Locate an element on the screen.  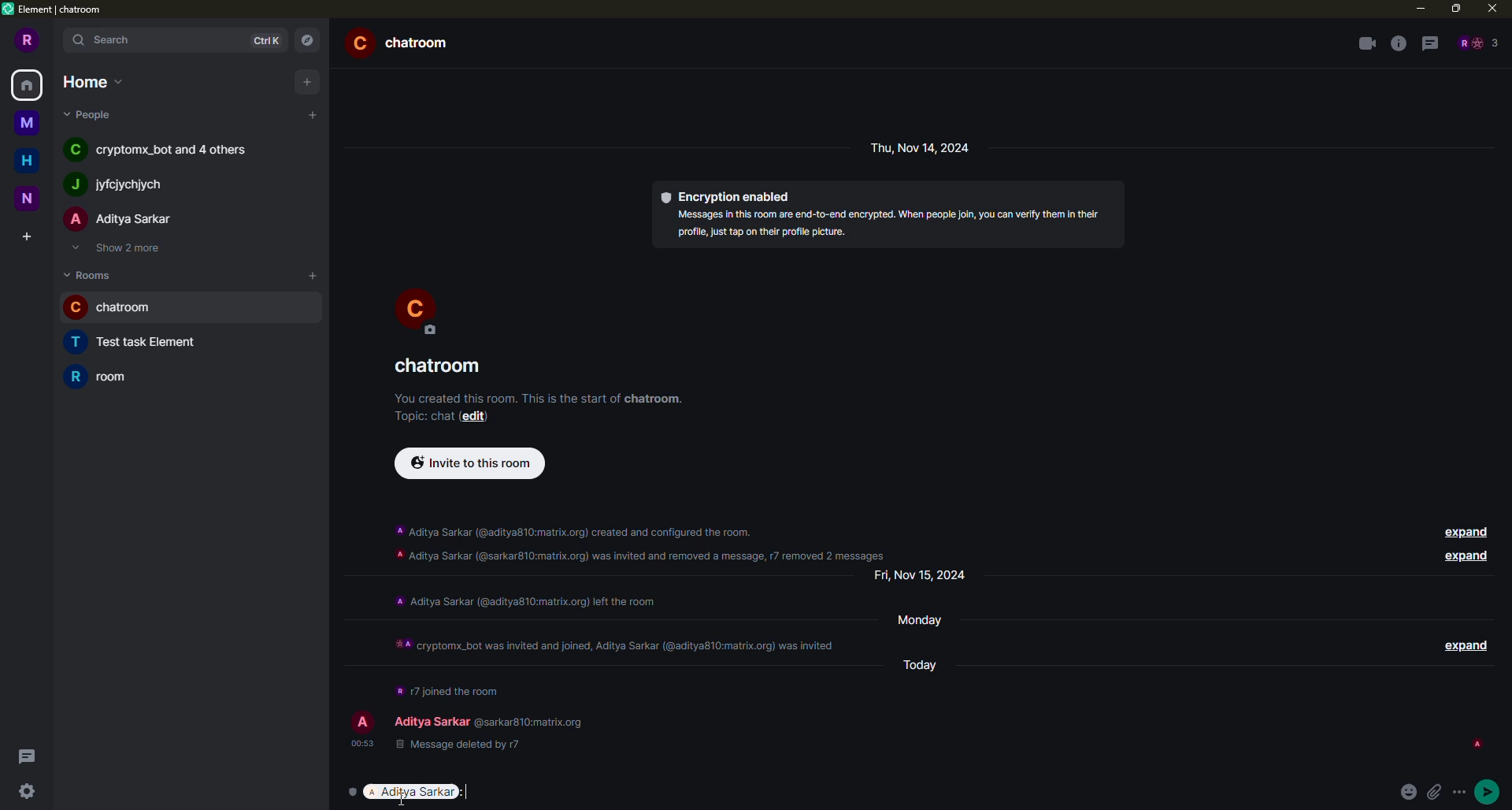
info is located at coordinates (524, 600).